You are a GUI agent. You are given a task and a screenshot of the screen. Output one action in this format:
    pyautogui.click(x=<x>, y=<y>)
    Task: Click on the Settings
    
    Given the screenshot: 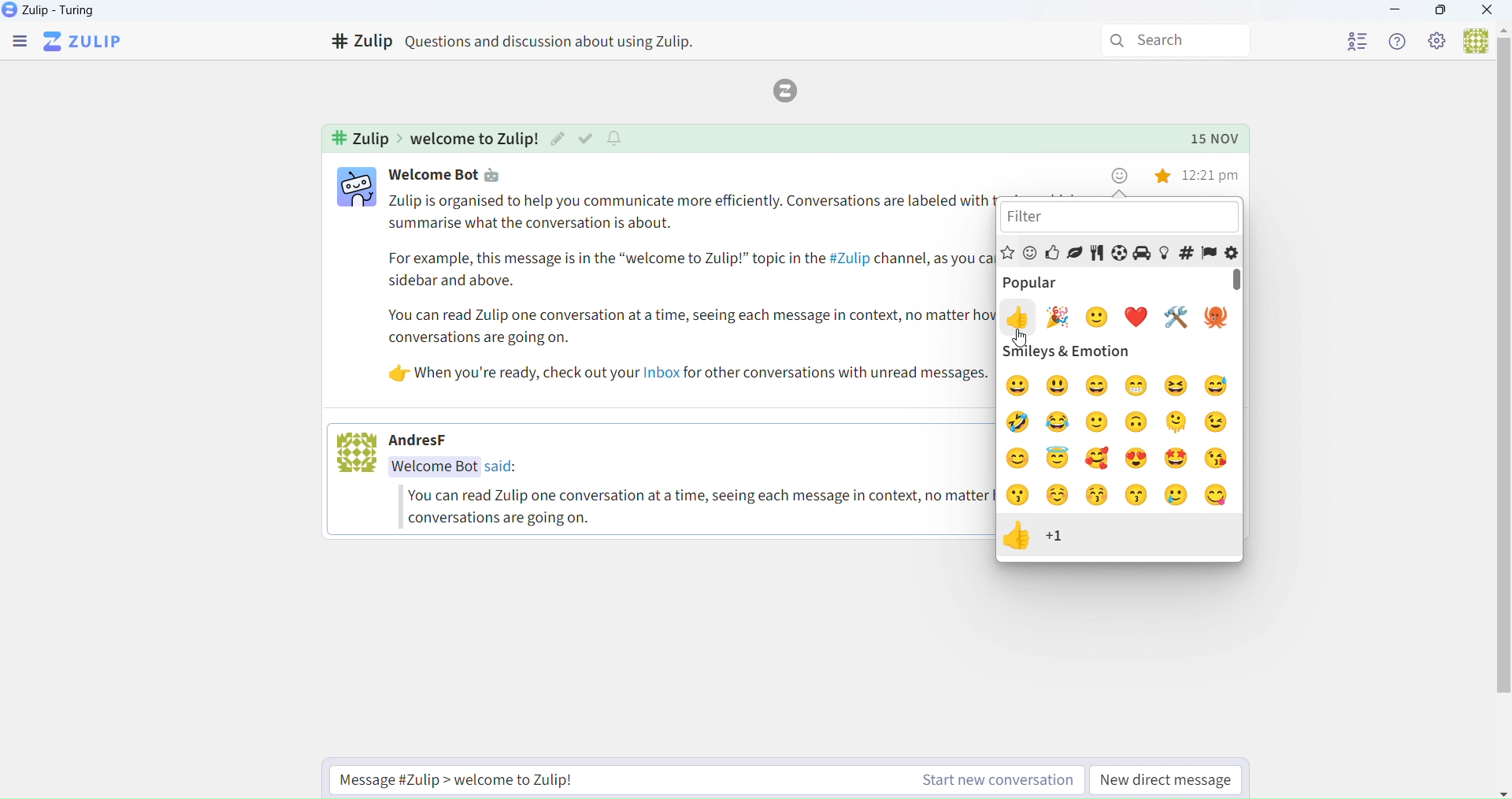 What is the action you would take?
    pyautogui.click(x=1437, y=43)
    